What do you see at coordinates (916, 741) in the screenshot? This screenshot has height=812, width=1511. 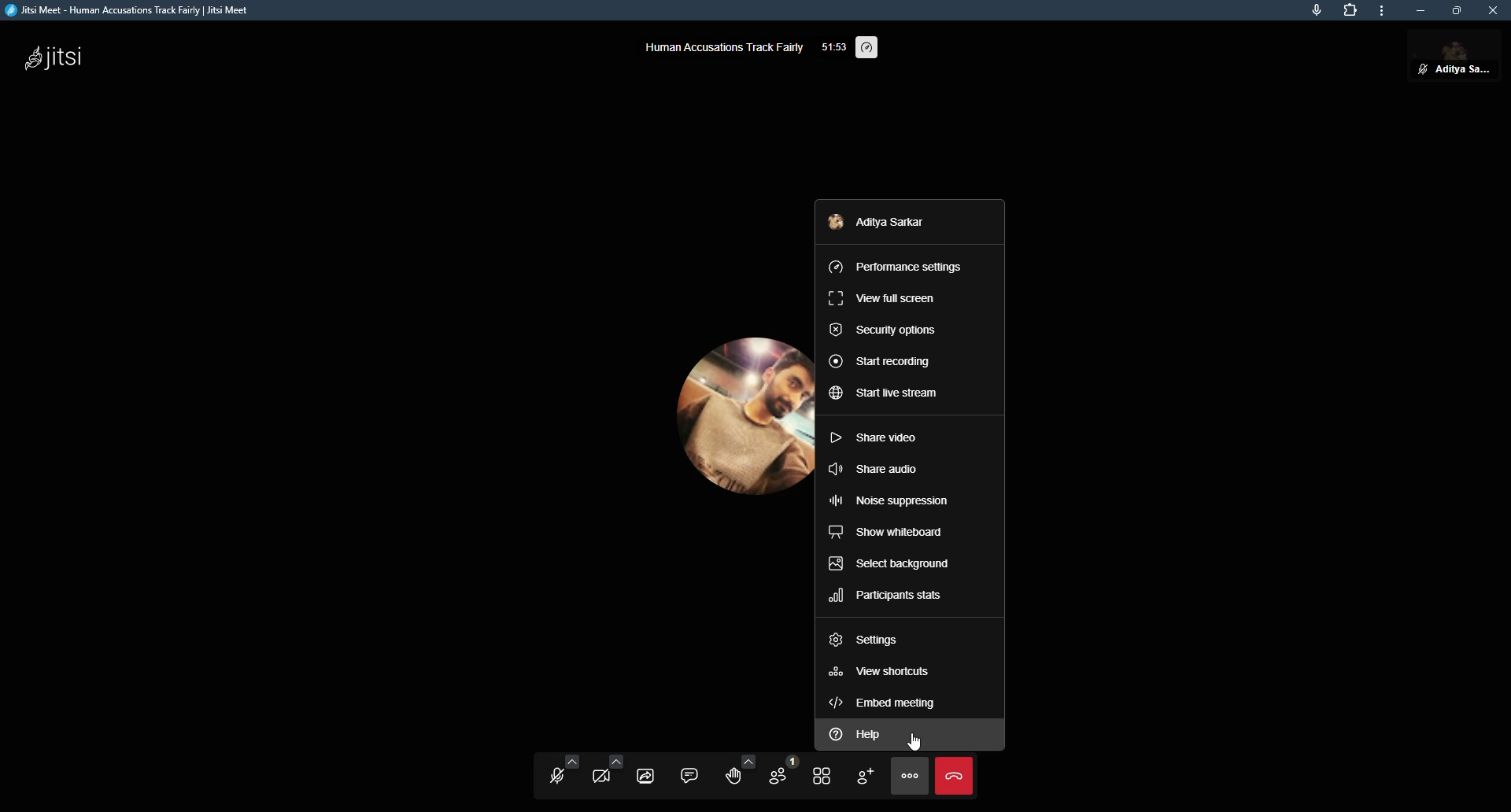 I see `cursor` at bounding box center [916, 741].